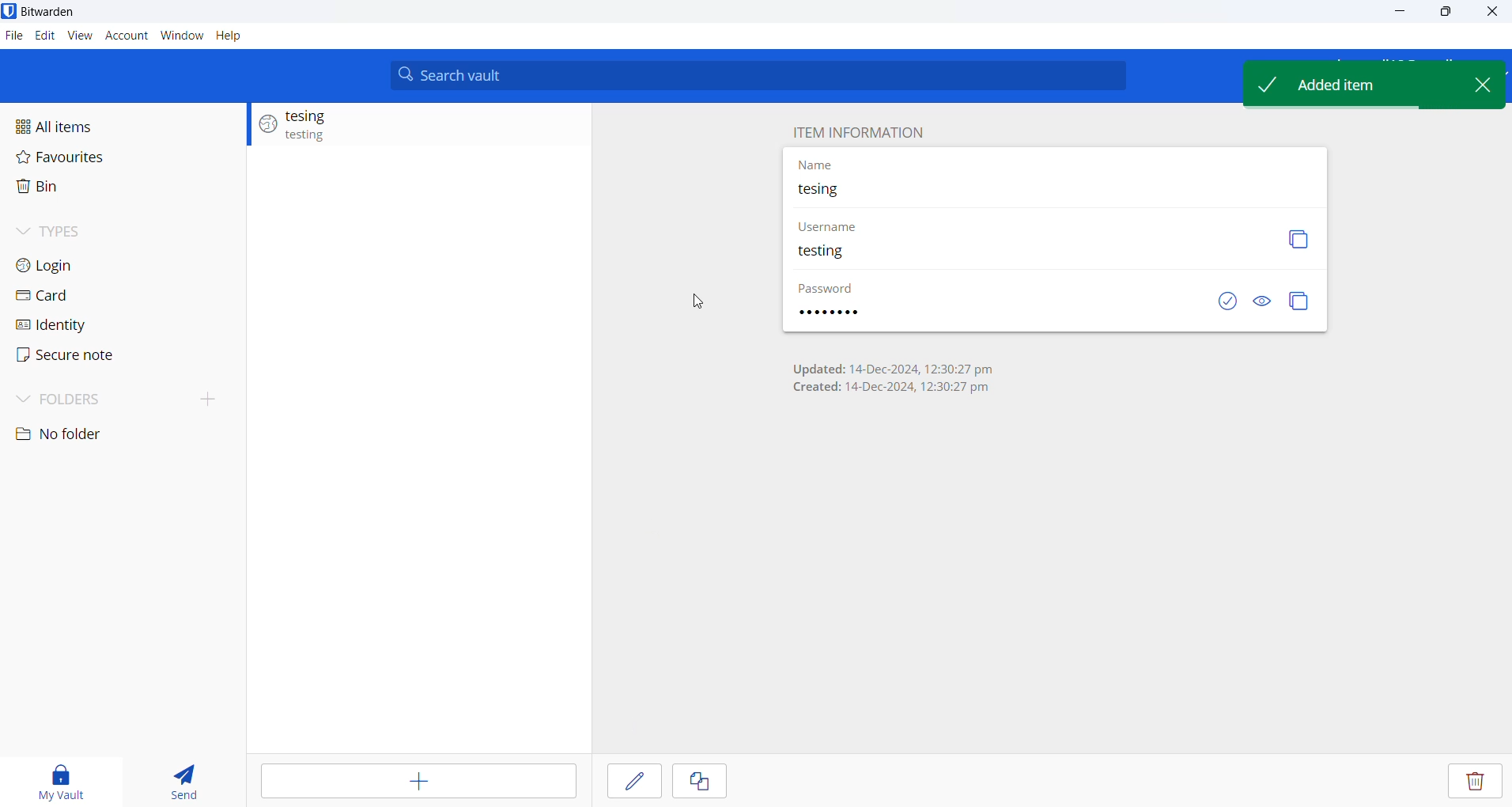  Describe the element at coordinates (1443, 13) in the screenshot. I see `maximize` at that location.